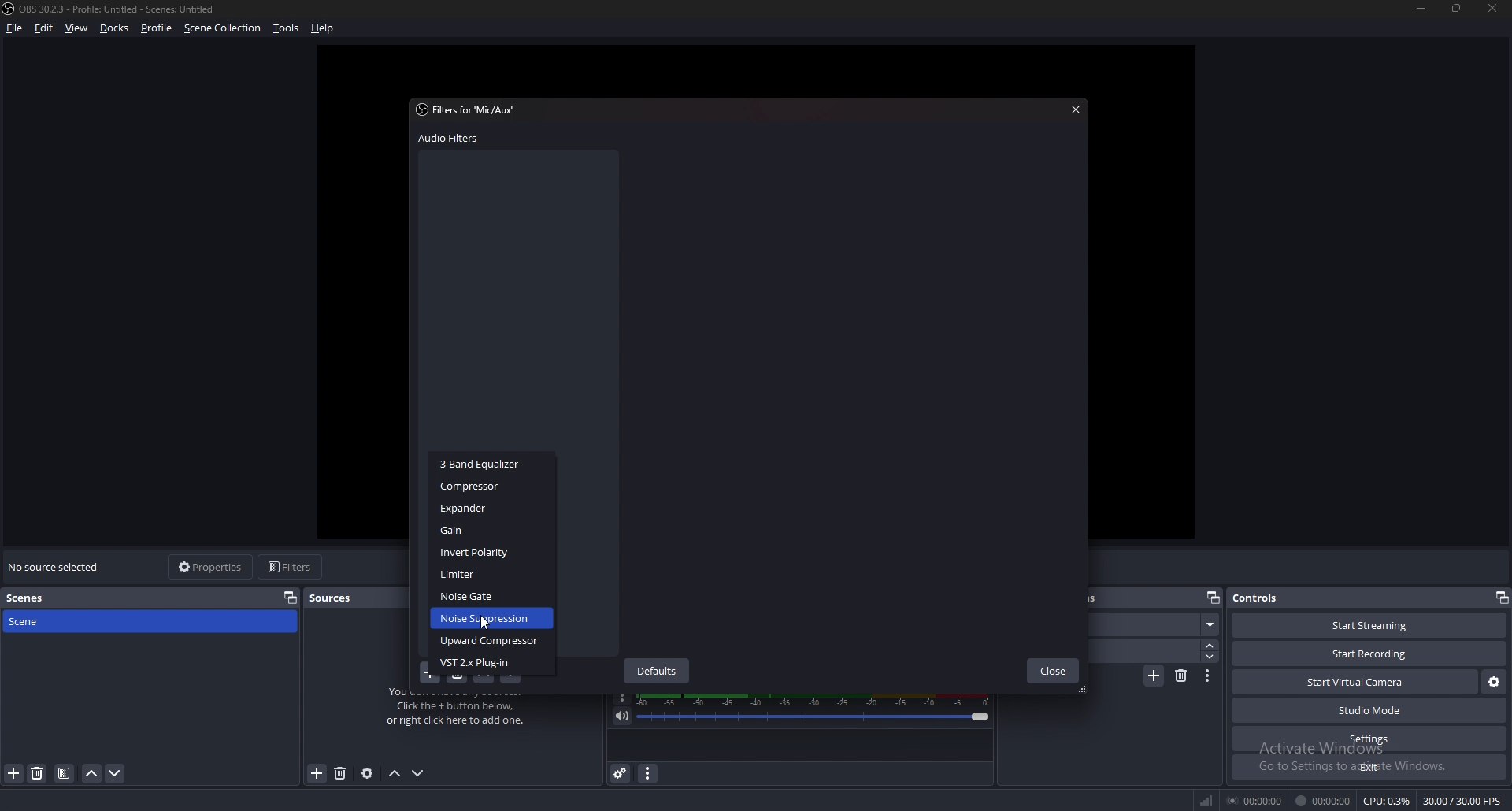 This screenshot has height=811, width=1512. Describe the element at coordinates (1368, 768) in the screenshot. I see `exit` at that location.